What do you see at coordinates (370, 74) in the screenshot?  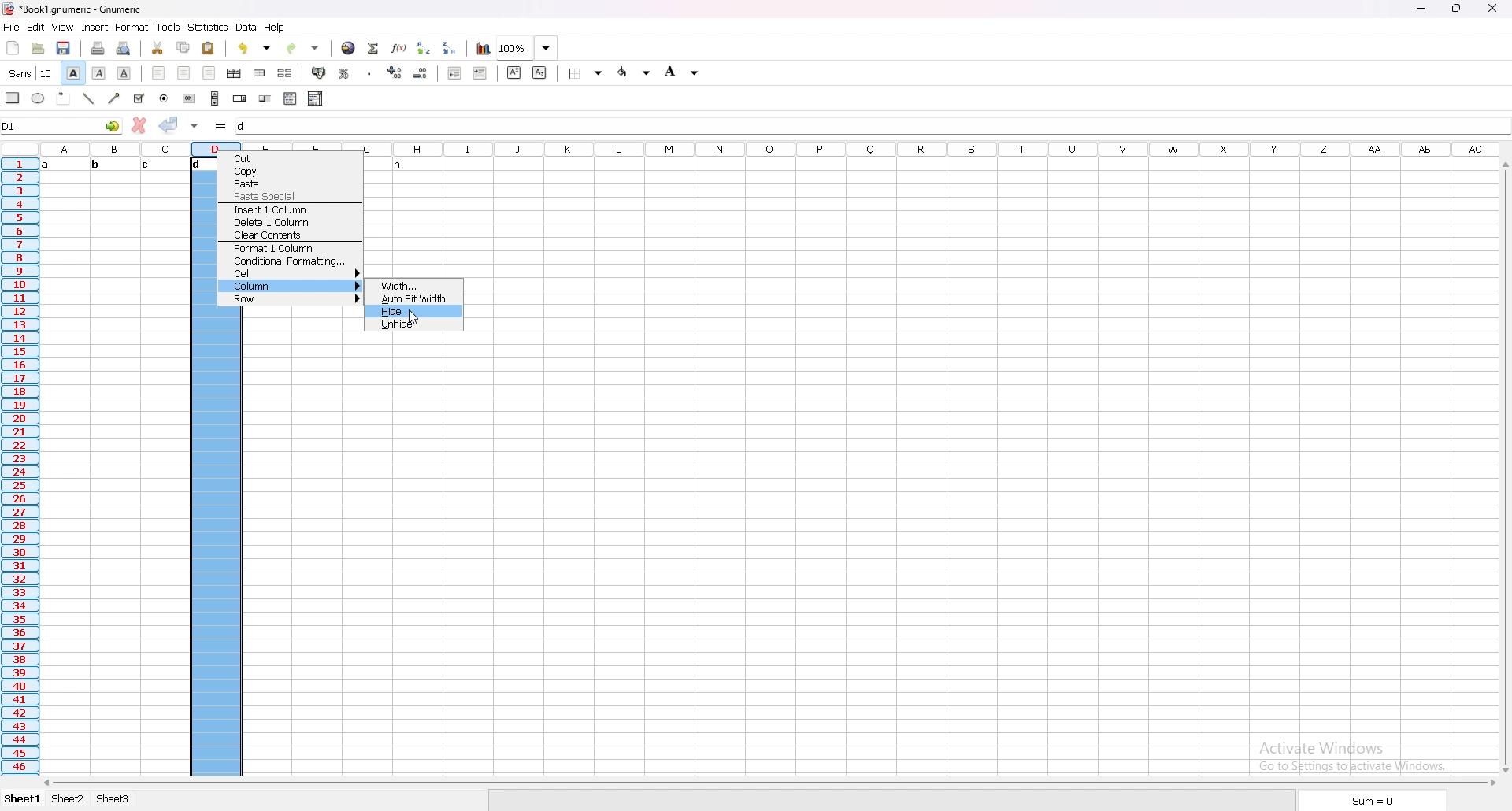 I see `thousands separator` at bounding box center [370, 74].